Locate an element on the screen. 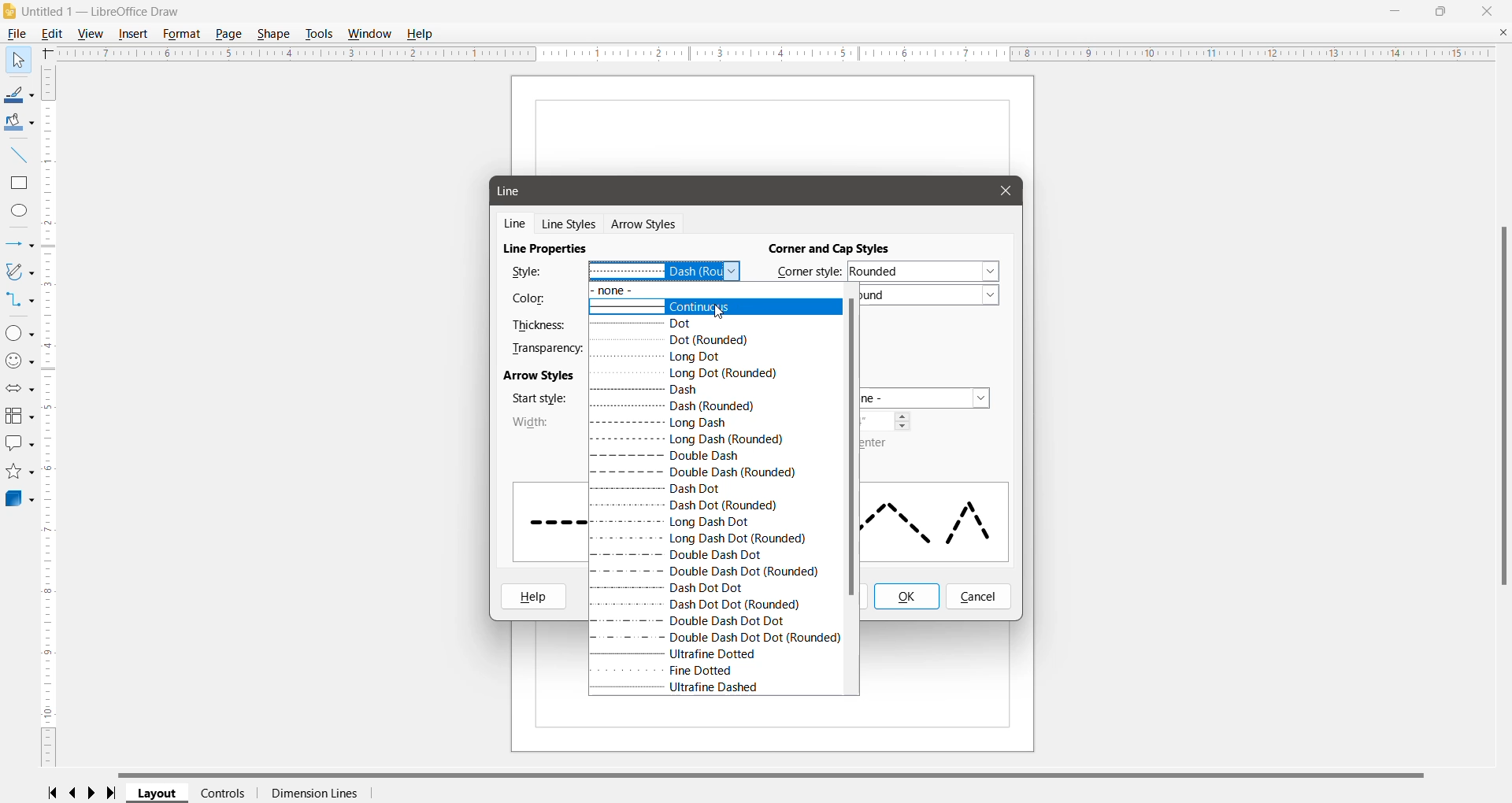  Line is located at coordinates (516, 224).